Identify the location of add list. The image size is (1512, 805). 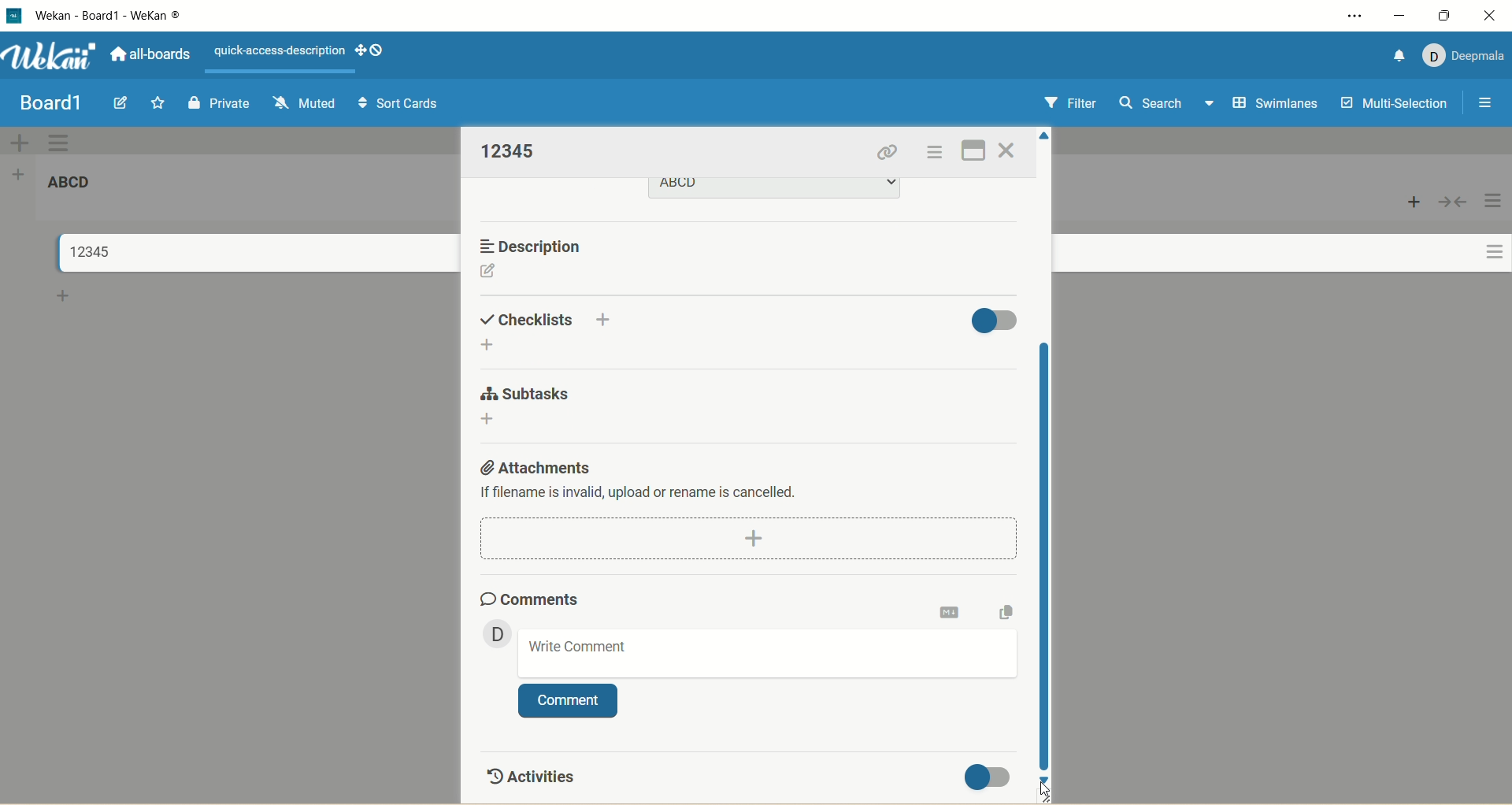
(23, 173).